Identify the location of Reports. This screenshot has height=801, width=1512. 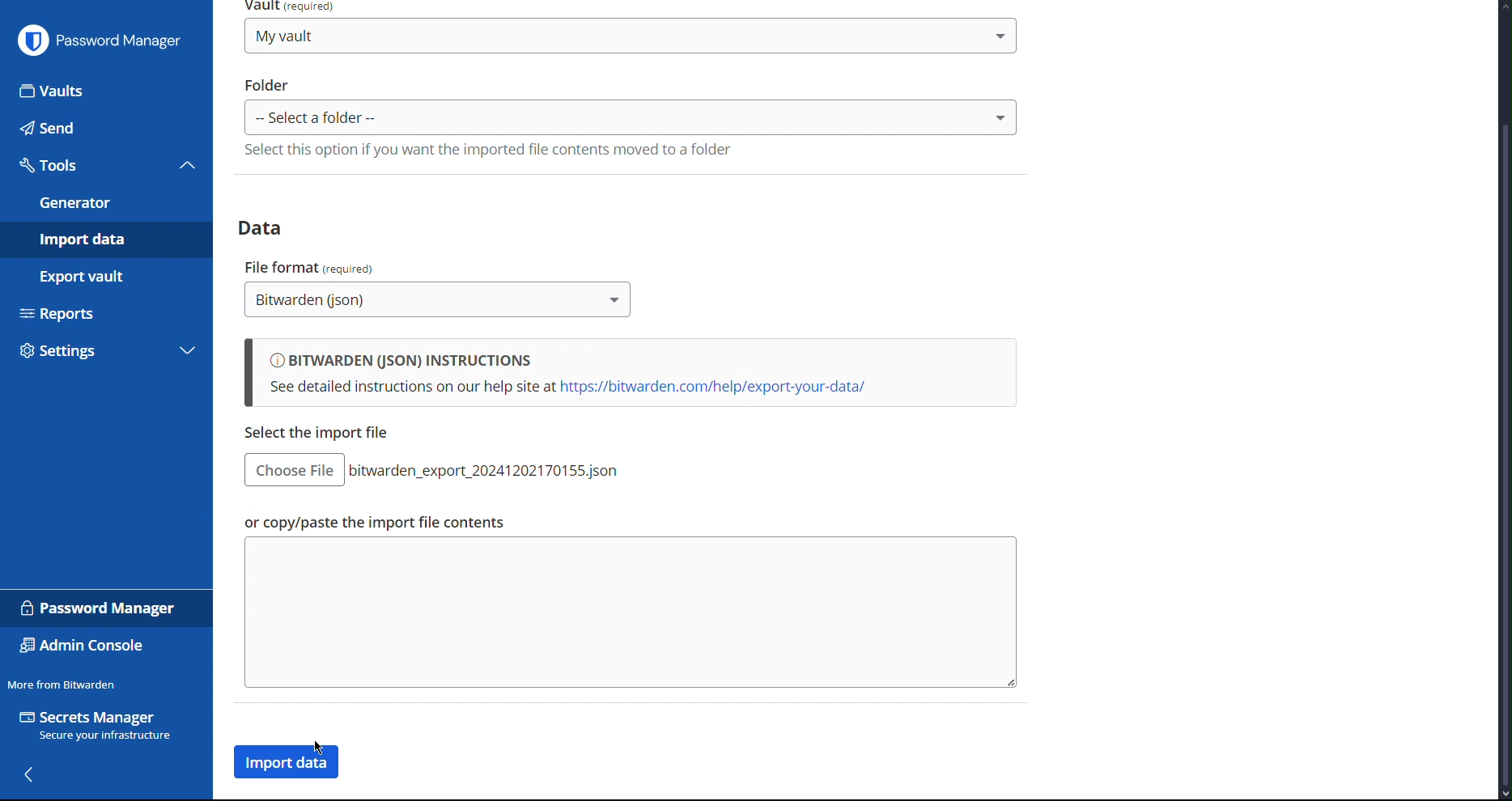
(104, 311).